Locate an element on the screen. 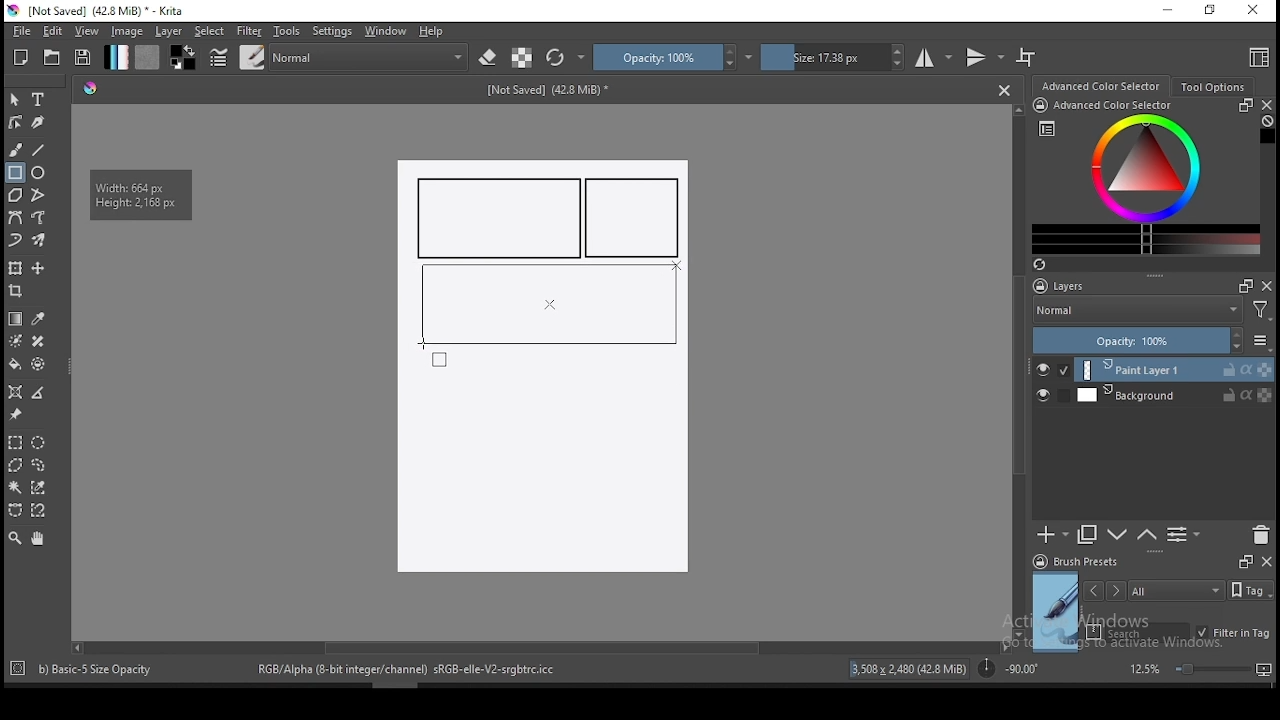  filter in tag is located at coordinates (1233, 634).